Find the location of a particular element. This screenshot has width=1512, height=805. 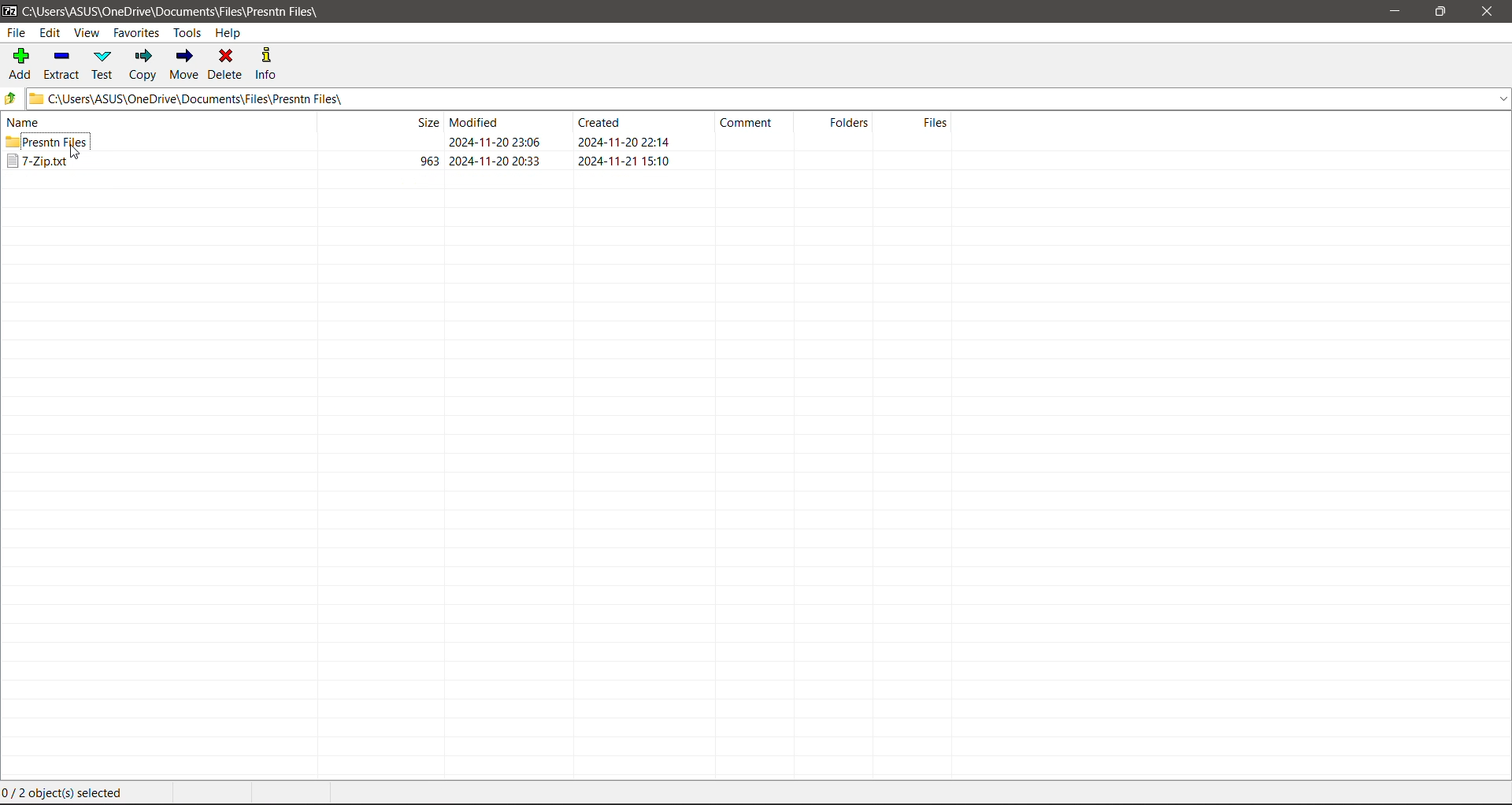

Delete is located at coordinates (227, 63).